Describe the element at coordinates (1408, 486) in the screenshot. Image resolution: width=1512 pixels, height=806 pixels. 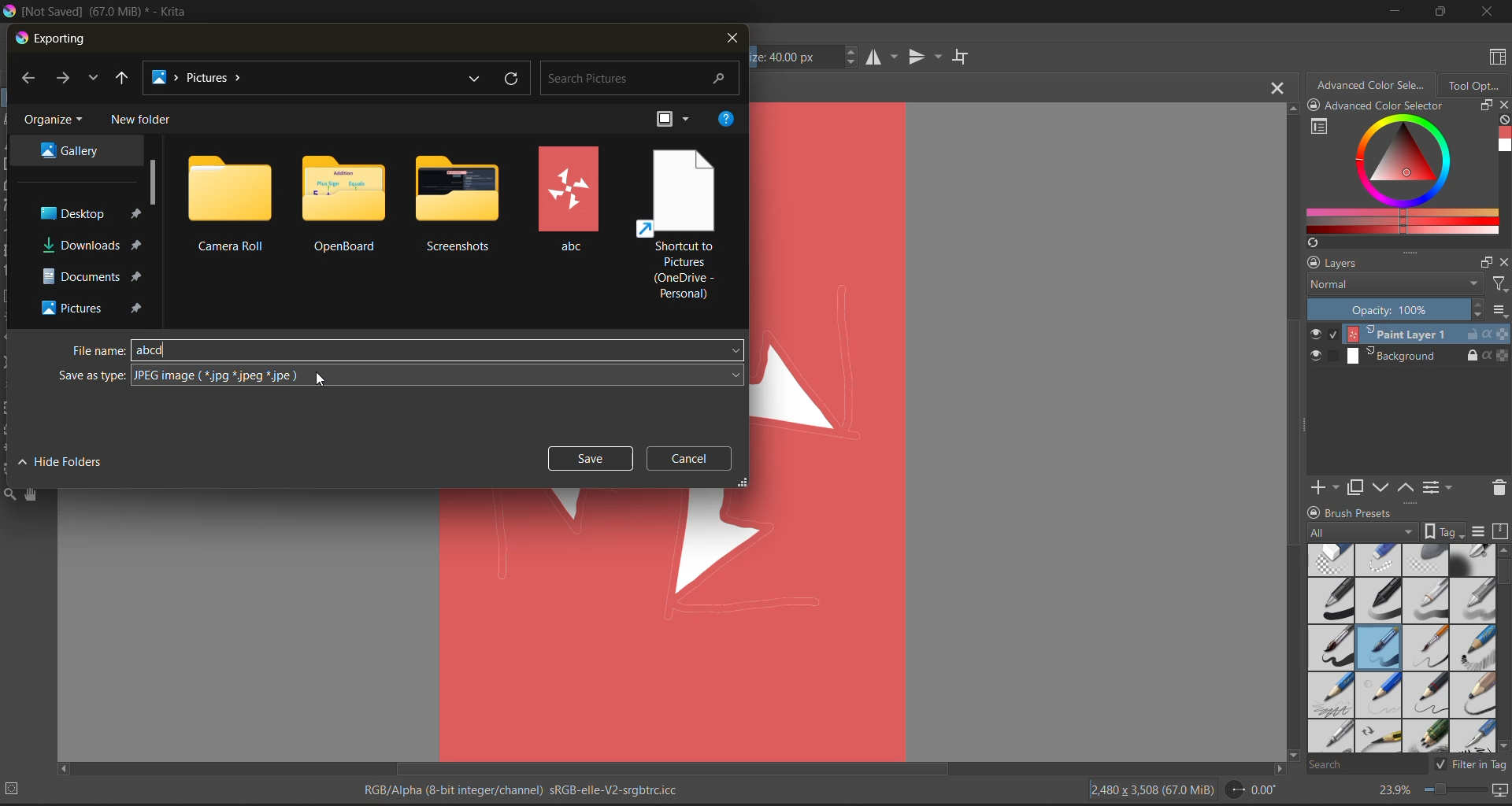
I see `mask up` at that location.